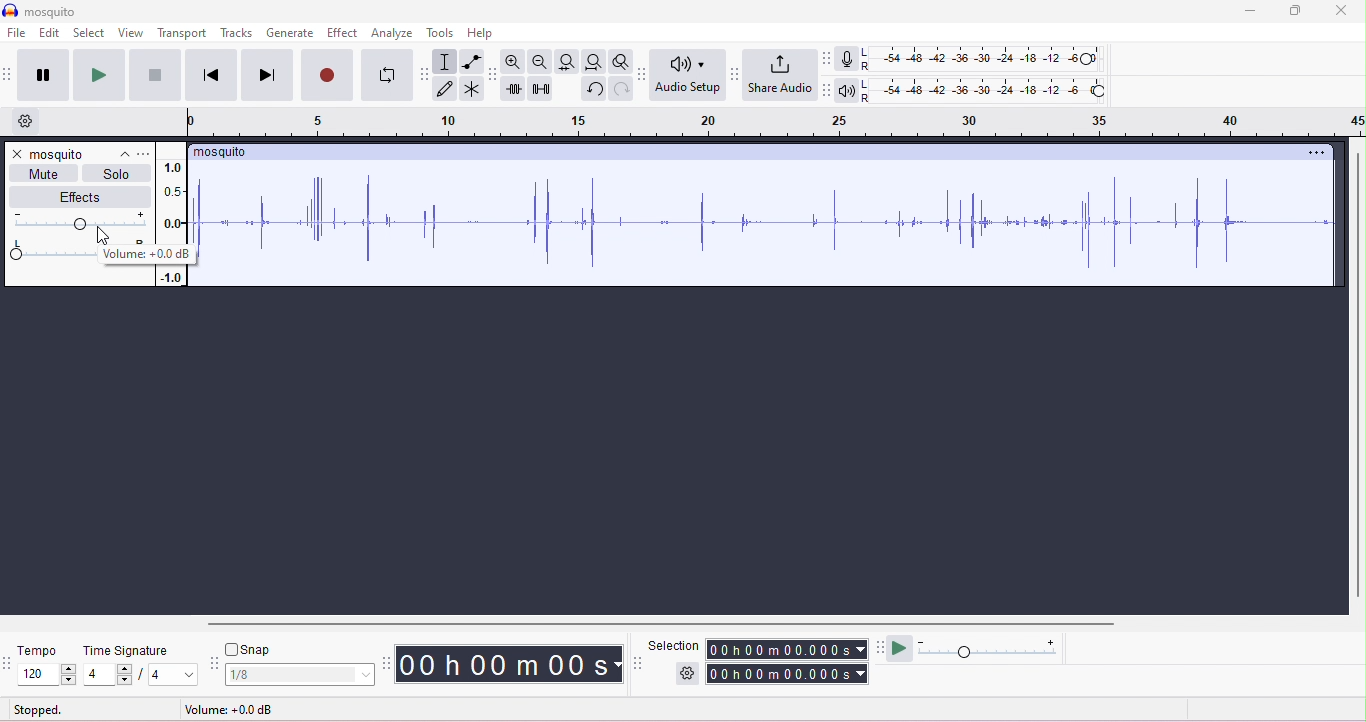 Image resolution: width=1366 pixels, height=722 pixels. What do you see at coordinates (46, 674) in the screenshot?
I see `select tempo` at bounding box center [46, 674].